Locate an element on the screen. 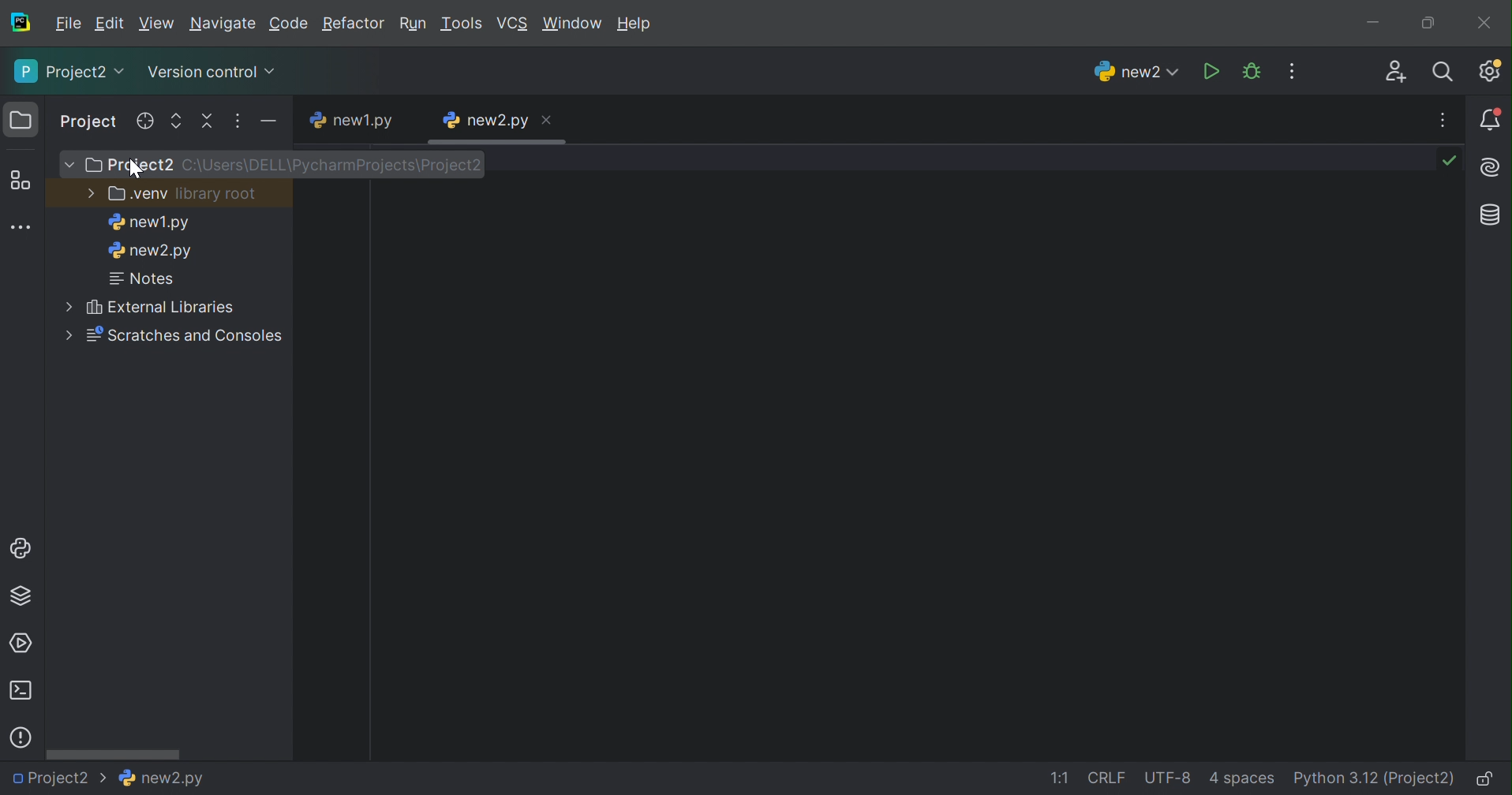 The image size is (1512, 795). new1.py is located at coordinates (148, 222).